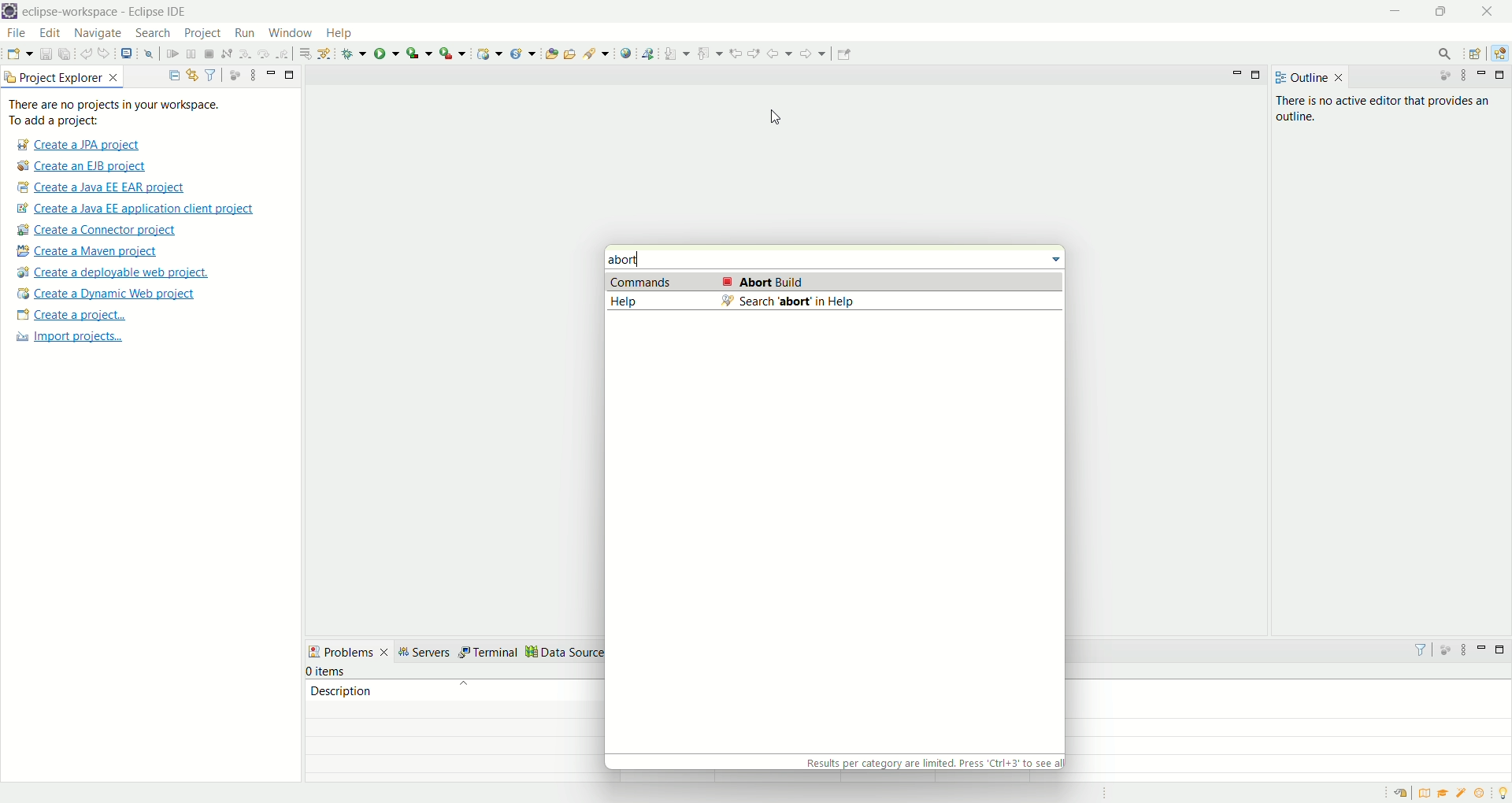 This screenshot has height=803, width=1512. I want to click on abort, so click(632, 259).